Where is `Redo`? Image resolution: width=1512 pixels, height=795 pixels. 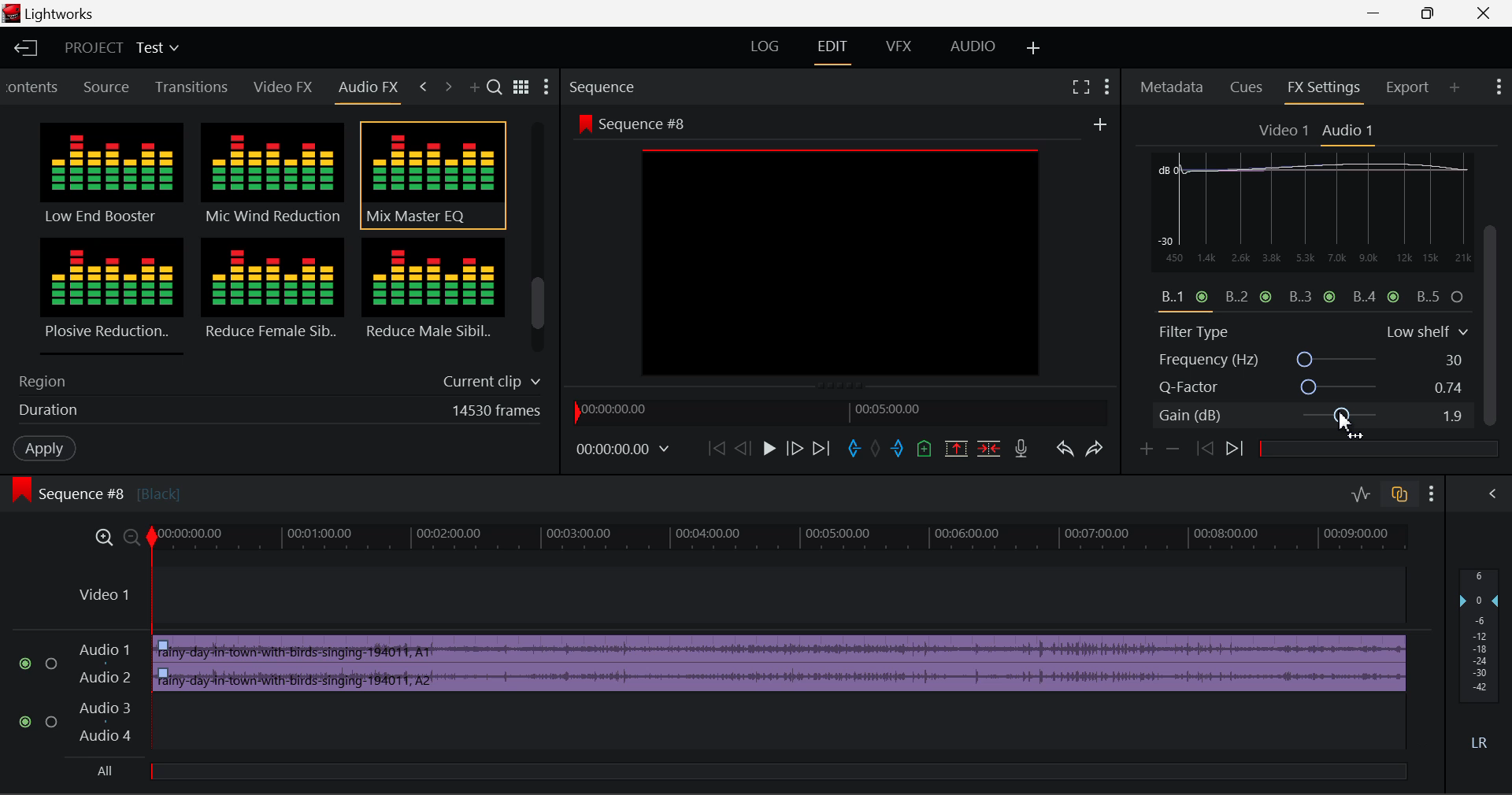
Redo is located at coordinates (1099, 453).